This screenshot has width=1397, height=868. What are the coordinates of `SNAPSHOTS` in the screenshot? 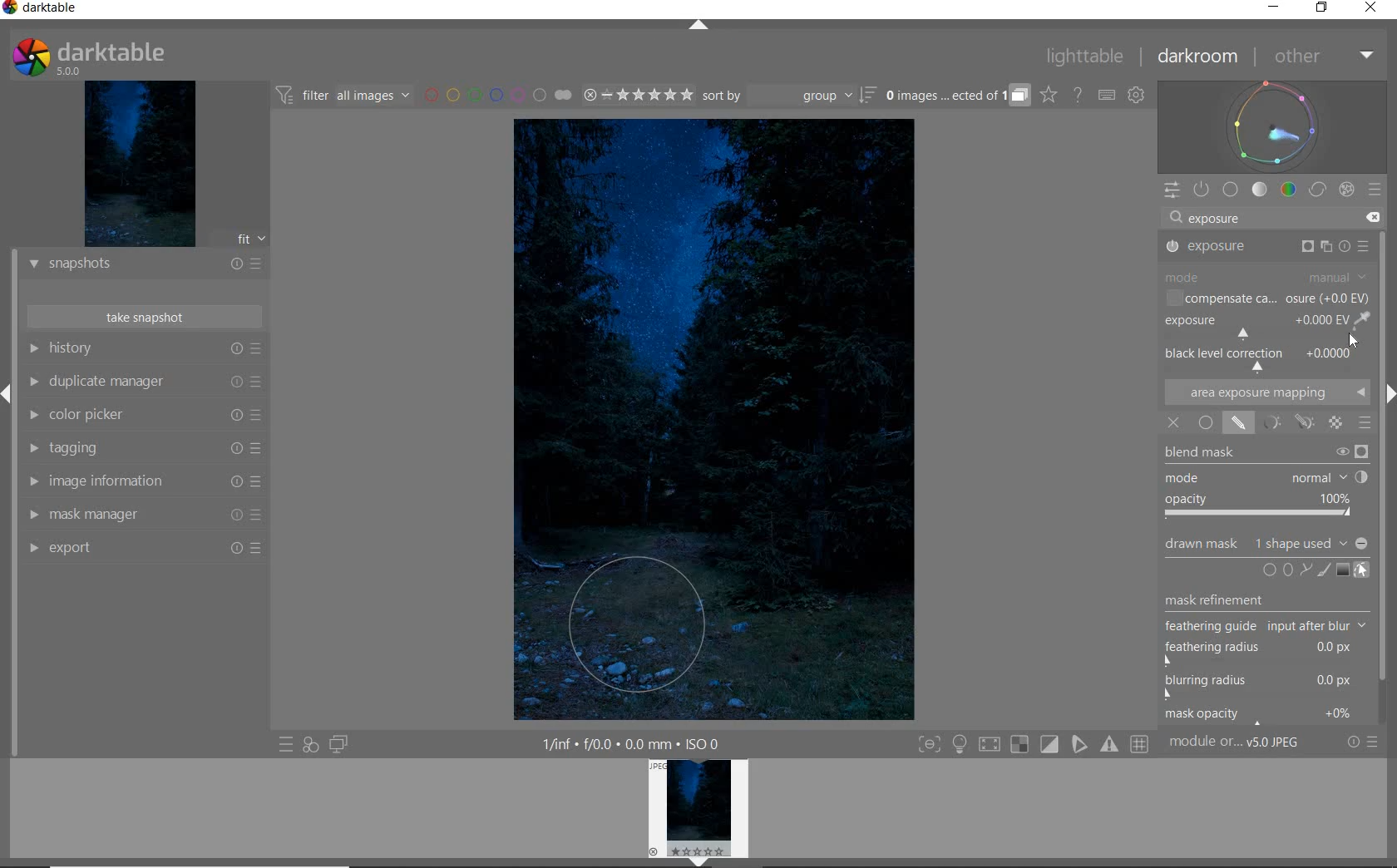 It's located at (144, 266).